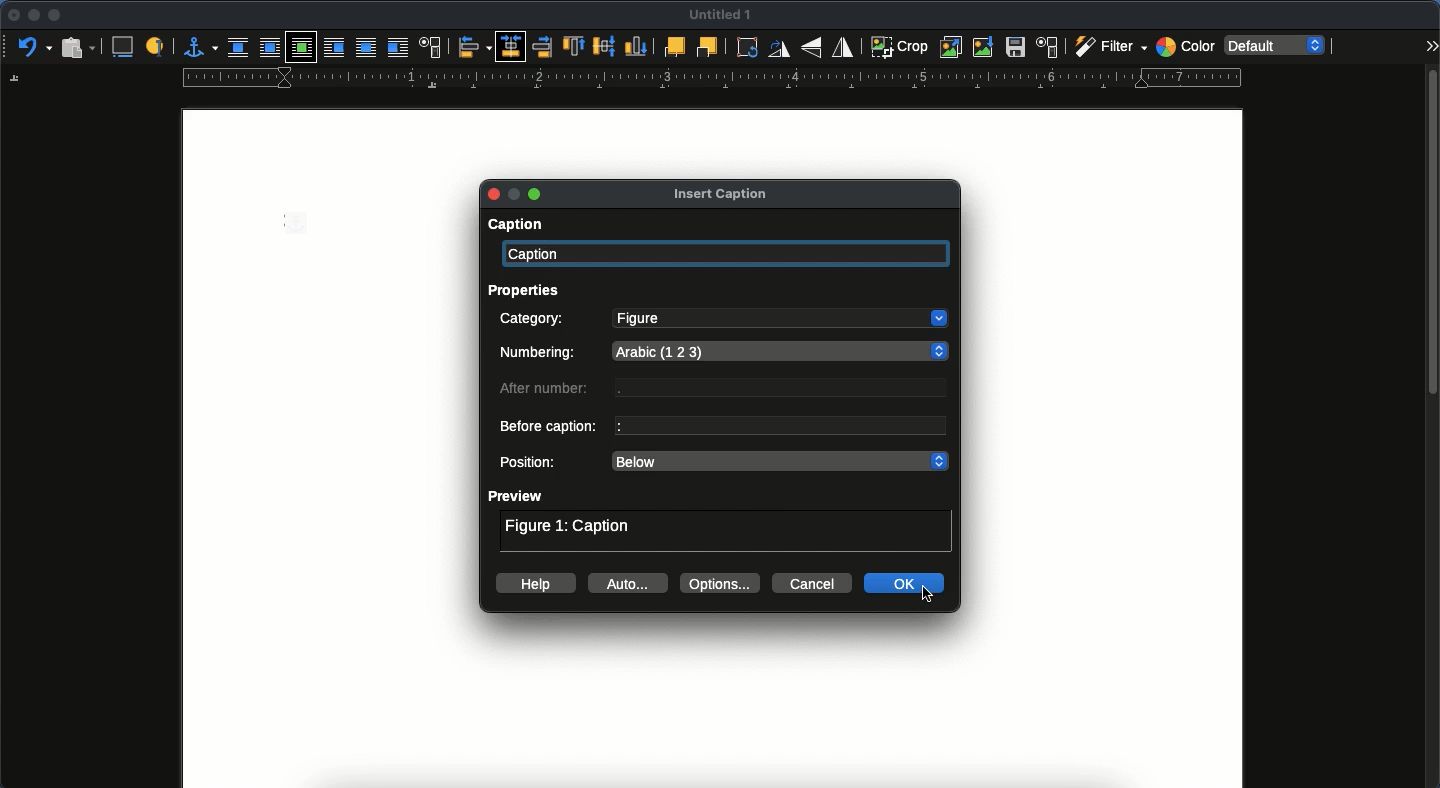 This screenshot has height=788, width=1440. I want to click on guide, so click(713, 78).